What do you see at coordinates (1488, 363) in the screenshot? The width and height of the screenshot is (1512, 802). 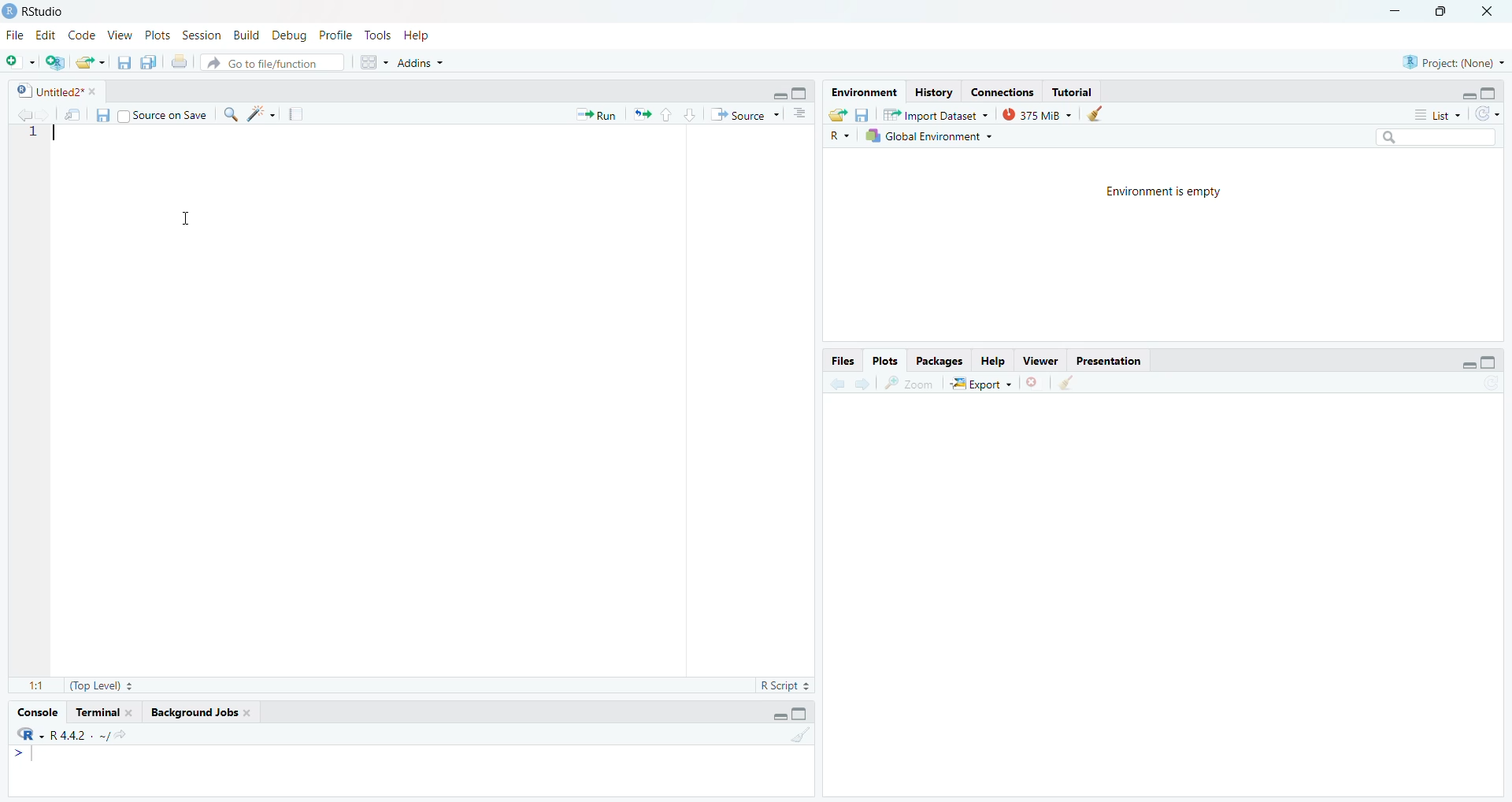 I see `hide console` at bounding box center [1488, 363].